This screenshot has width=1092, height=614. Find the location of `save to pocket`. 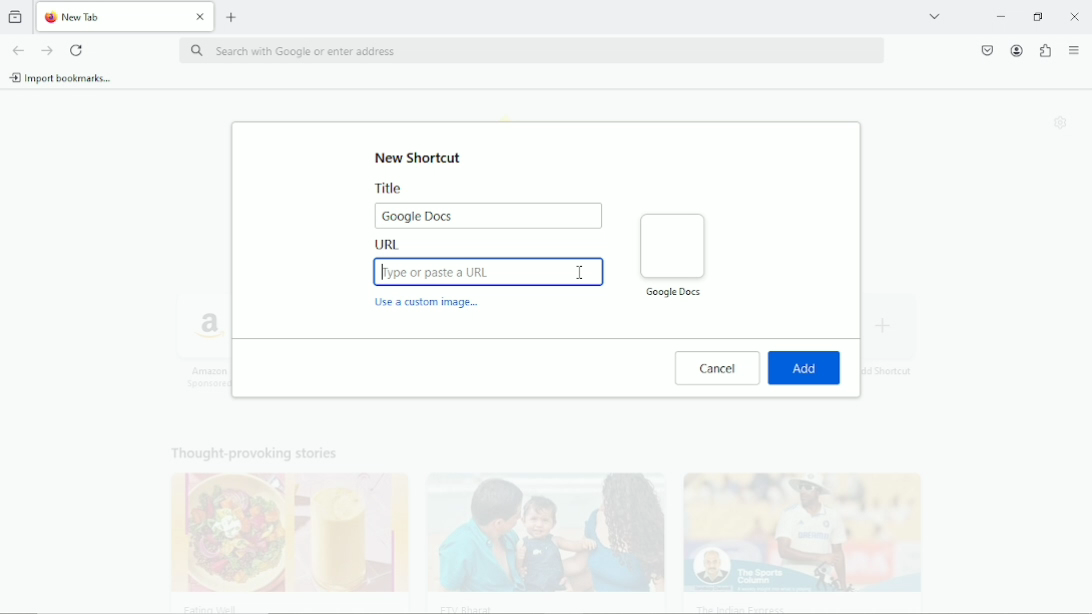

save to pocket is located at coordinates (986, 49).